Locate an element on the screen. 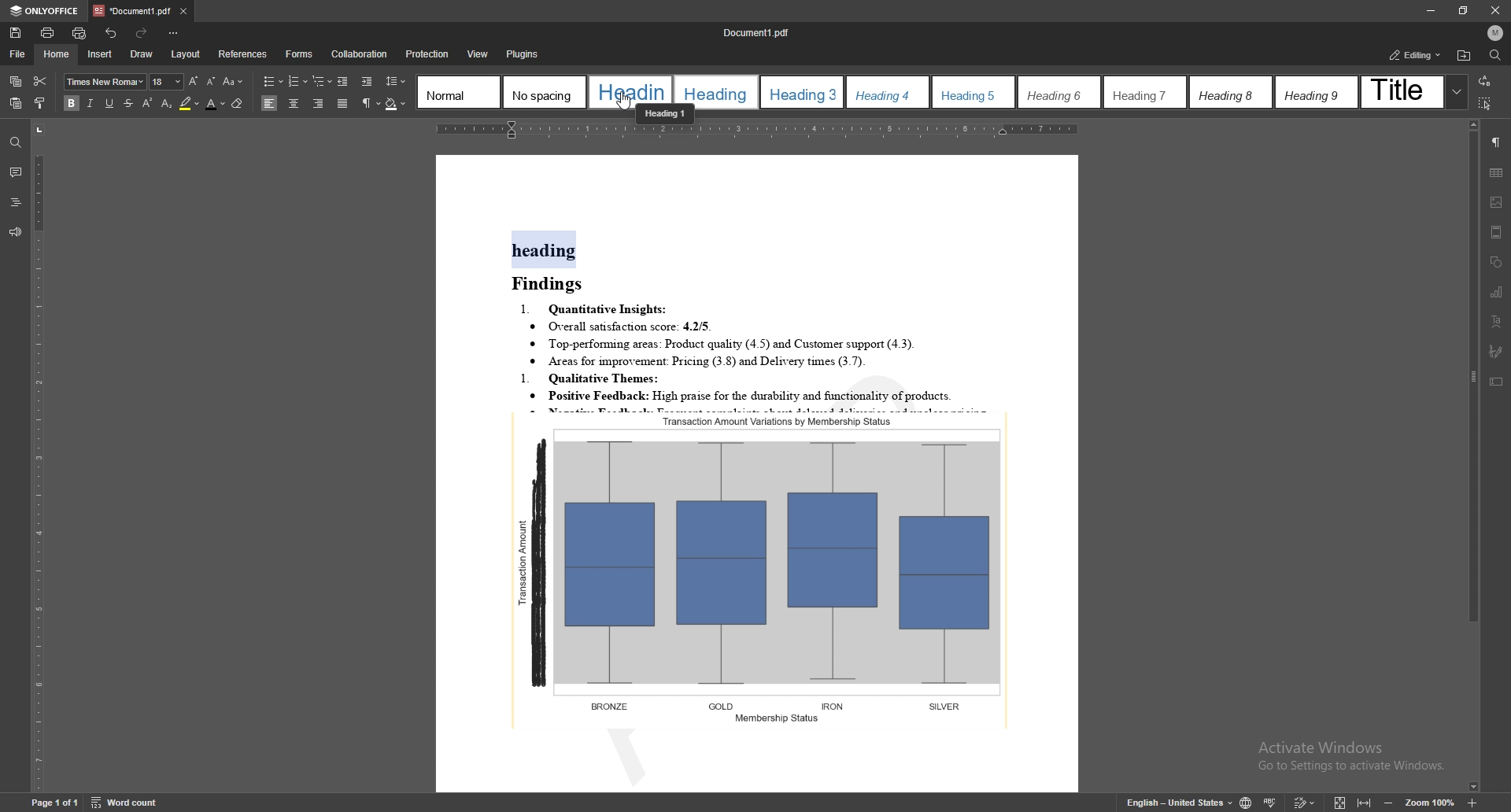 This screenshot has width=1511, height=812. superscript is located at coordinates (148, 102).